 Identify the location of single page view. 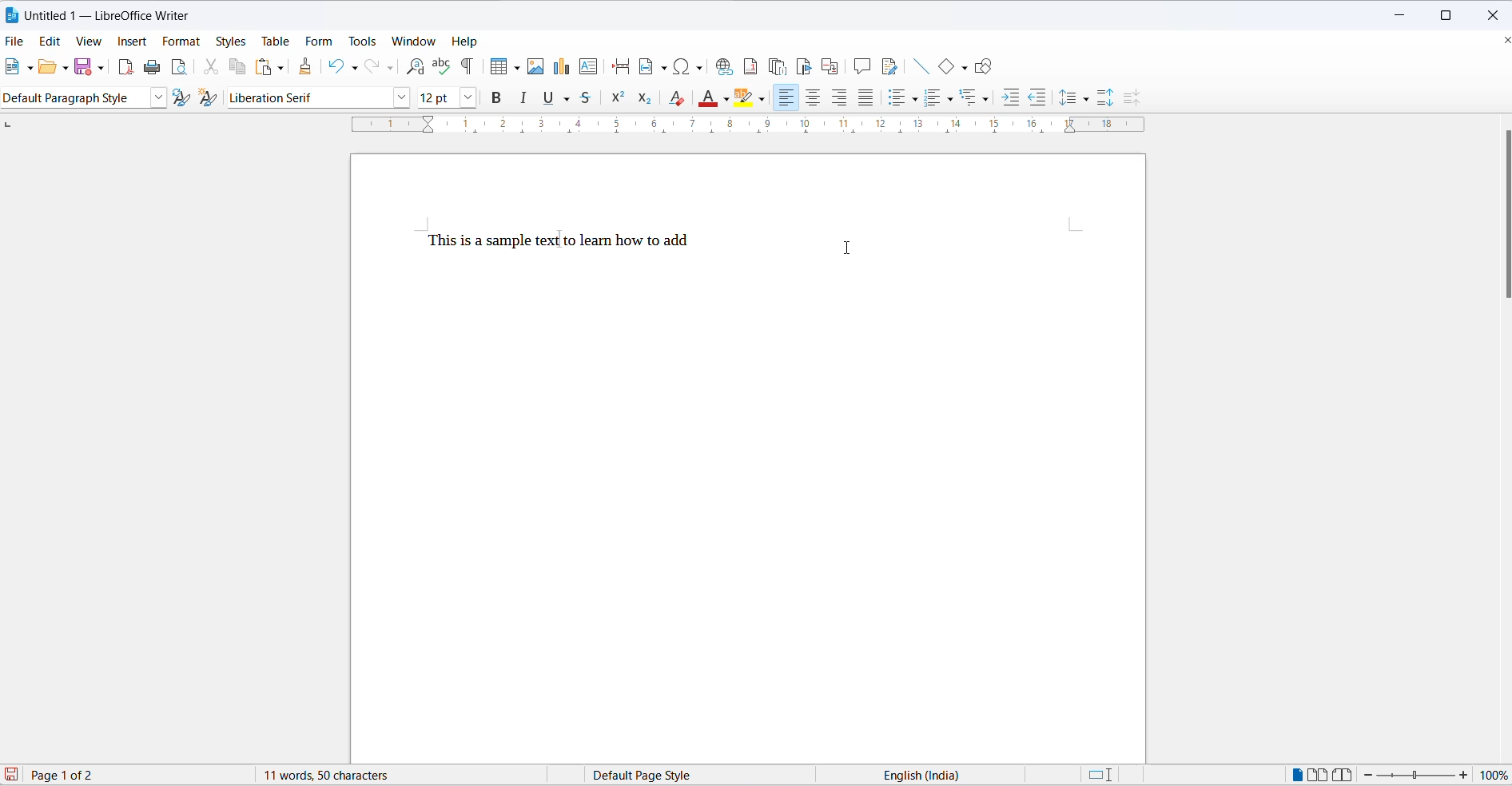
(1294, 774).